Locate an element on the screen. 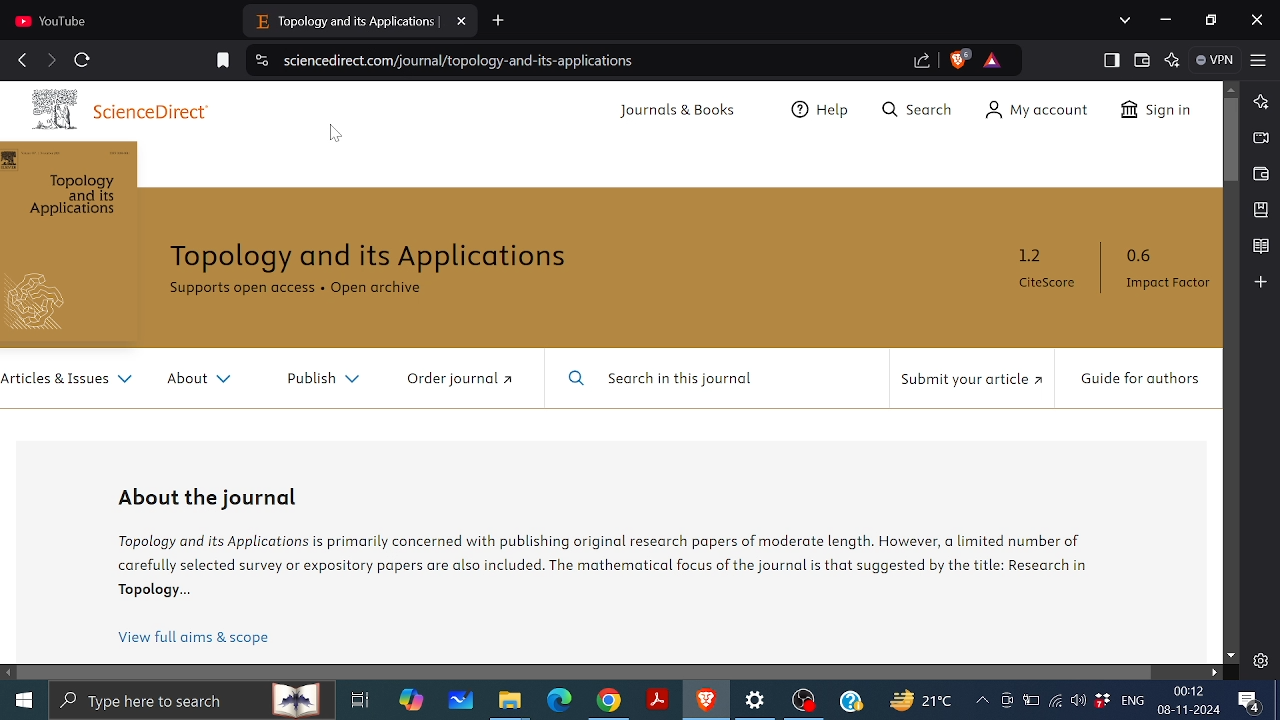 This screenshot has height=720, width=1280. Add new tab is located at coordinates (500, 21).